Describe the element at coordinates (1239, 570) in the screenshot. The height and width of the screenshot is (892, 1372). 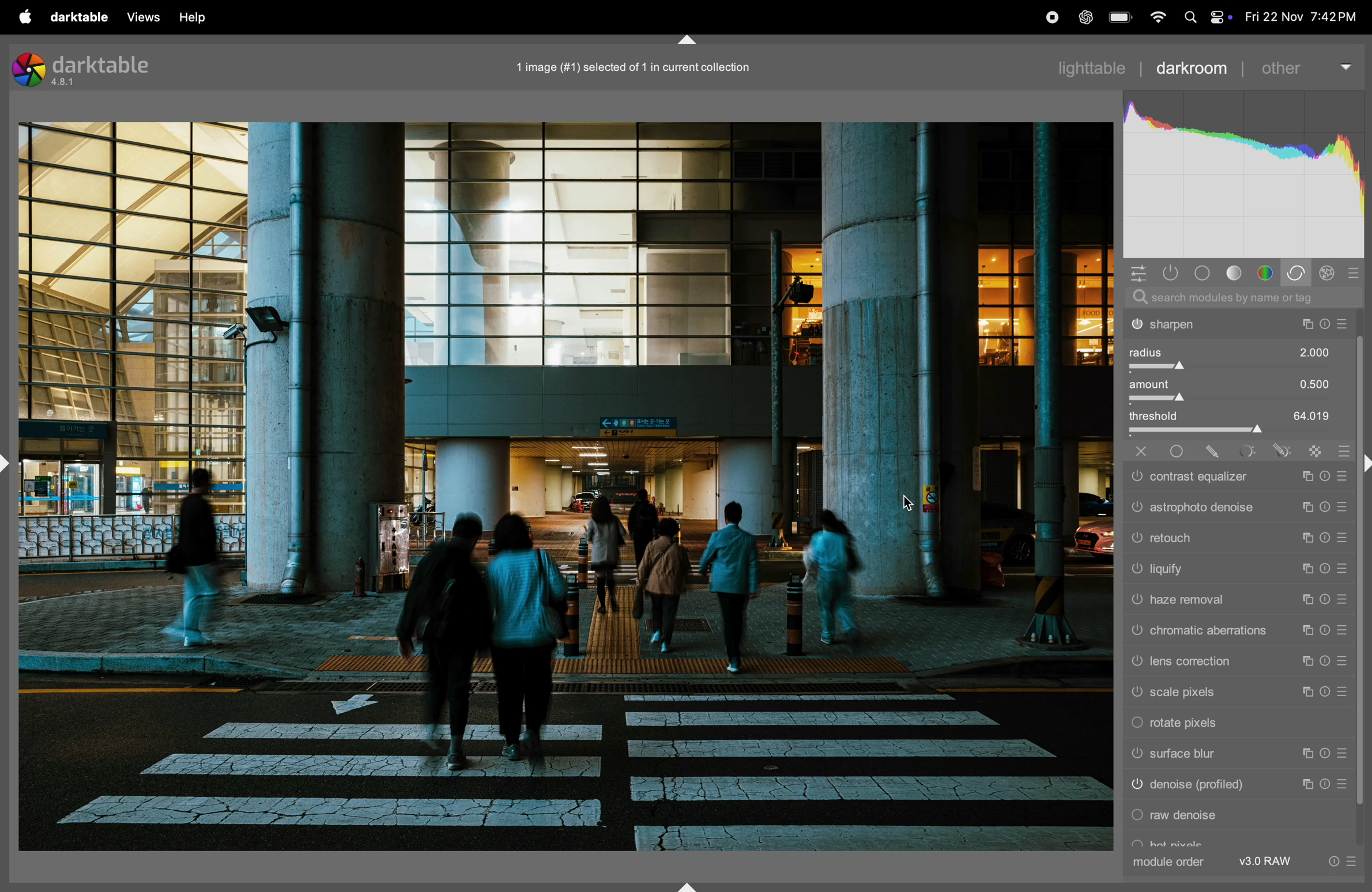
I see `liquify` at that location.